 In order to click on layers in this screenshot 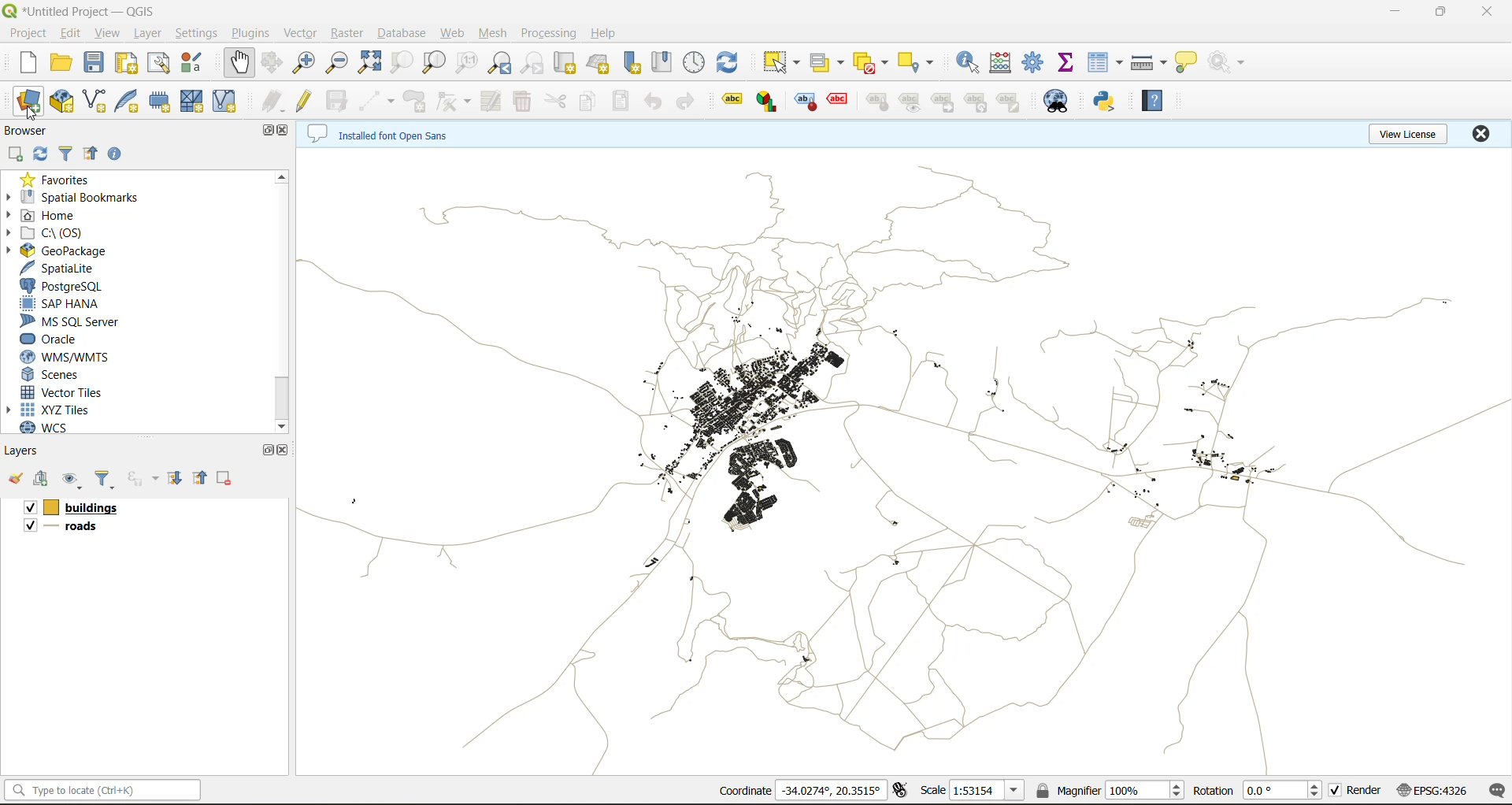, I will do `click(88, 508)`.